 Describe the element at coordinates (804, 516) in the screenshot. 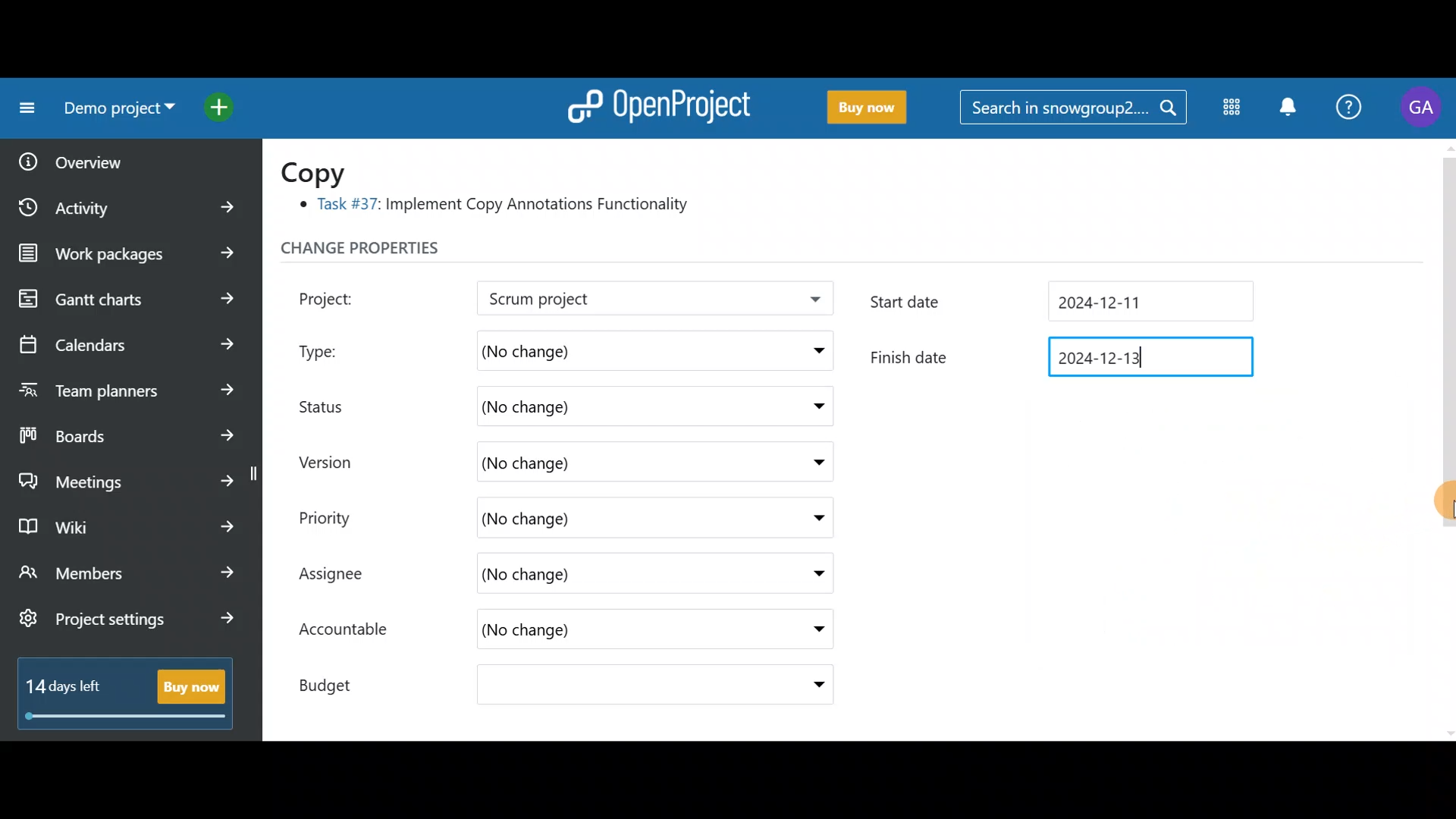

I see `Priority drop down` at that location.